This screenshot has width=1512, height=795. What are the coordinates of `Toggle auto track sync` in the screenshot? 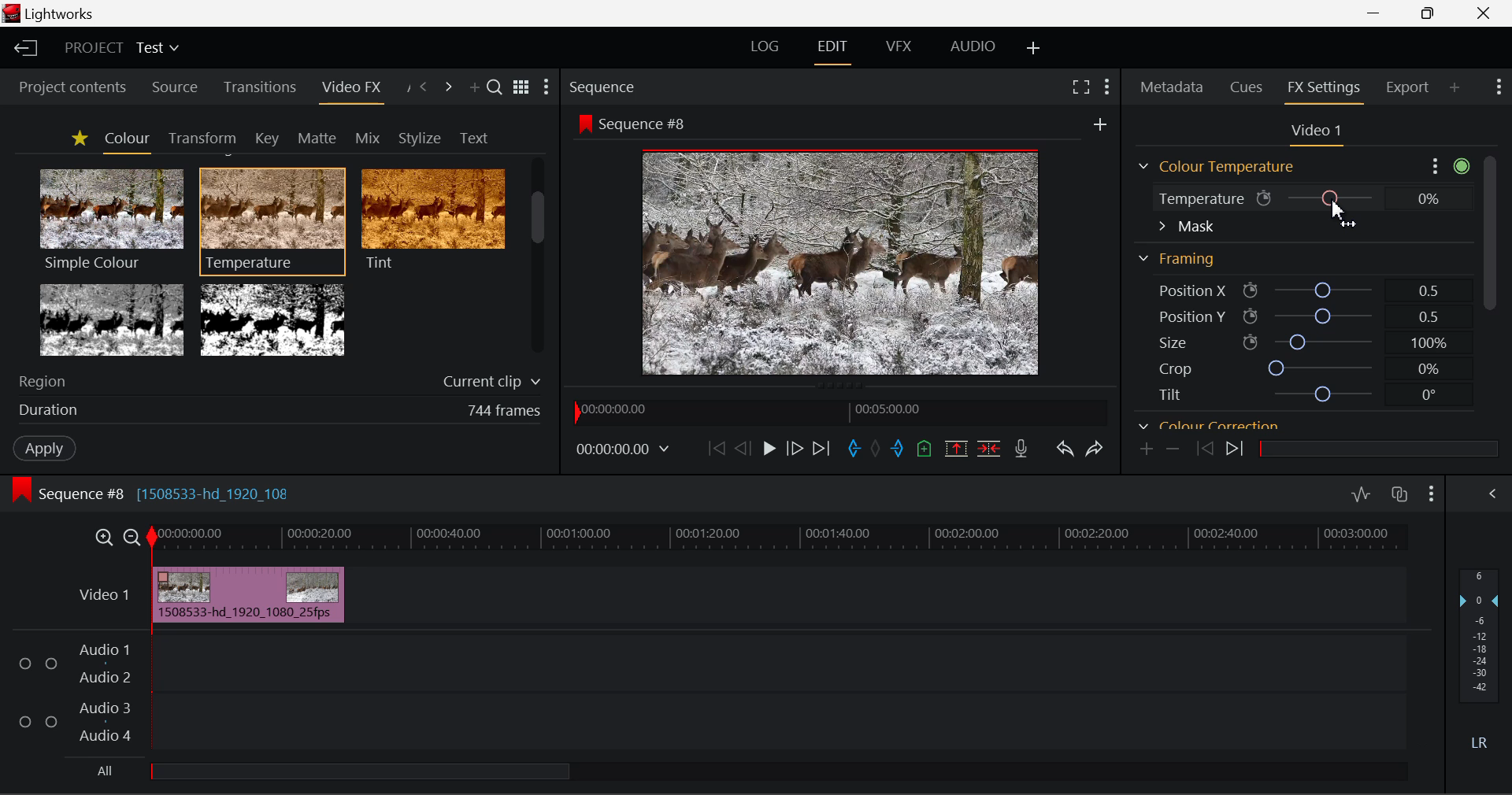 It's located at (1399, 494).